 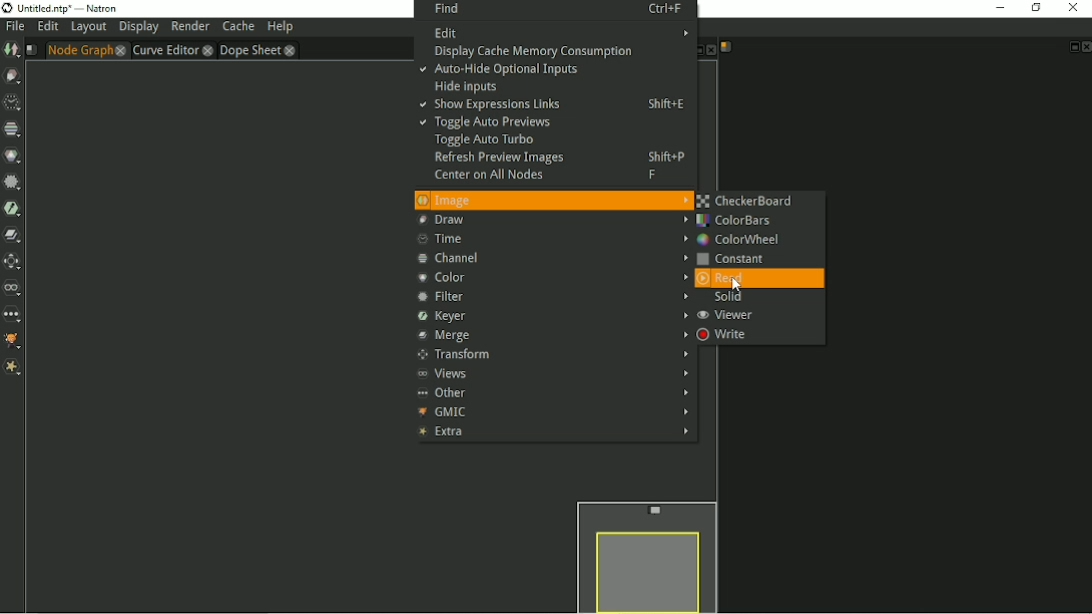 I want to click on Color, so click(x=547, y=277).